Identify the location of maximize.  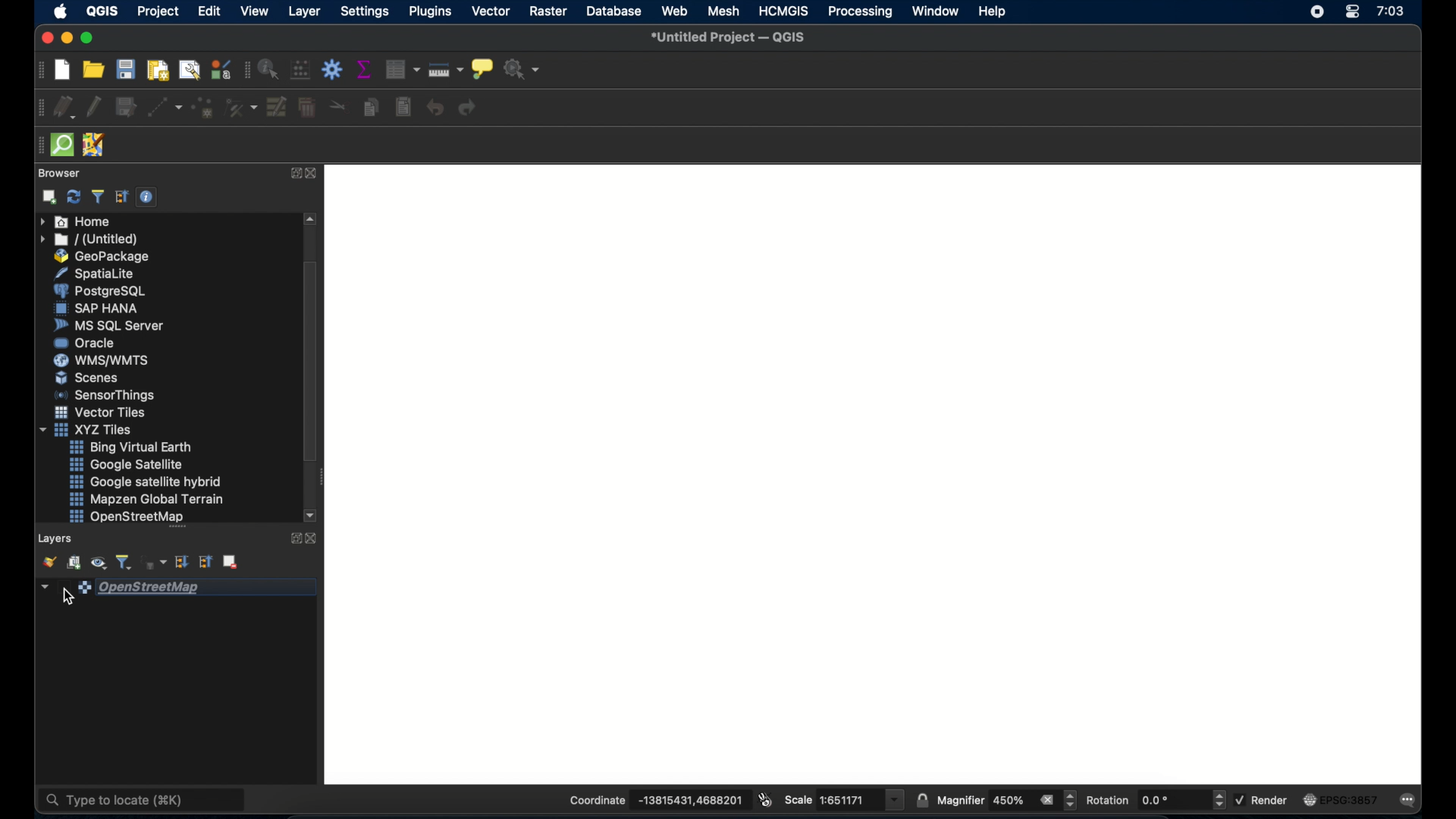
(86, 37).